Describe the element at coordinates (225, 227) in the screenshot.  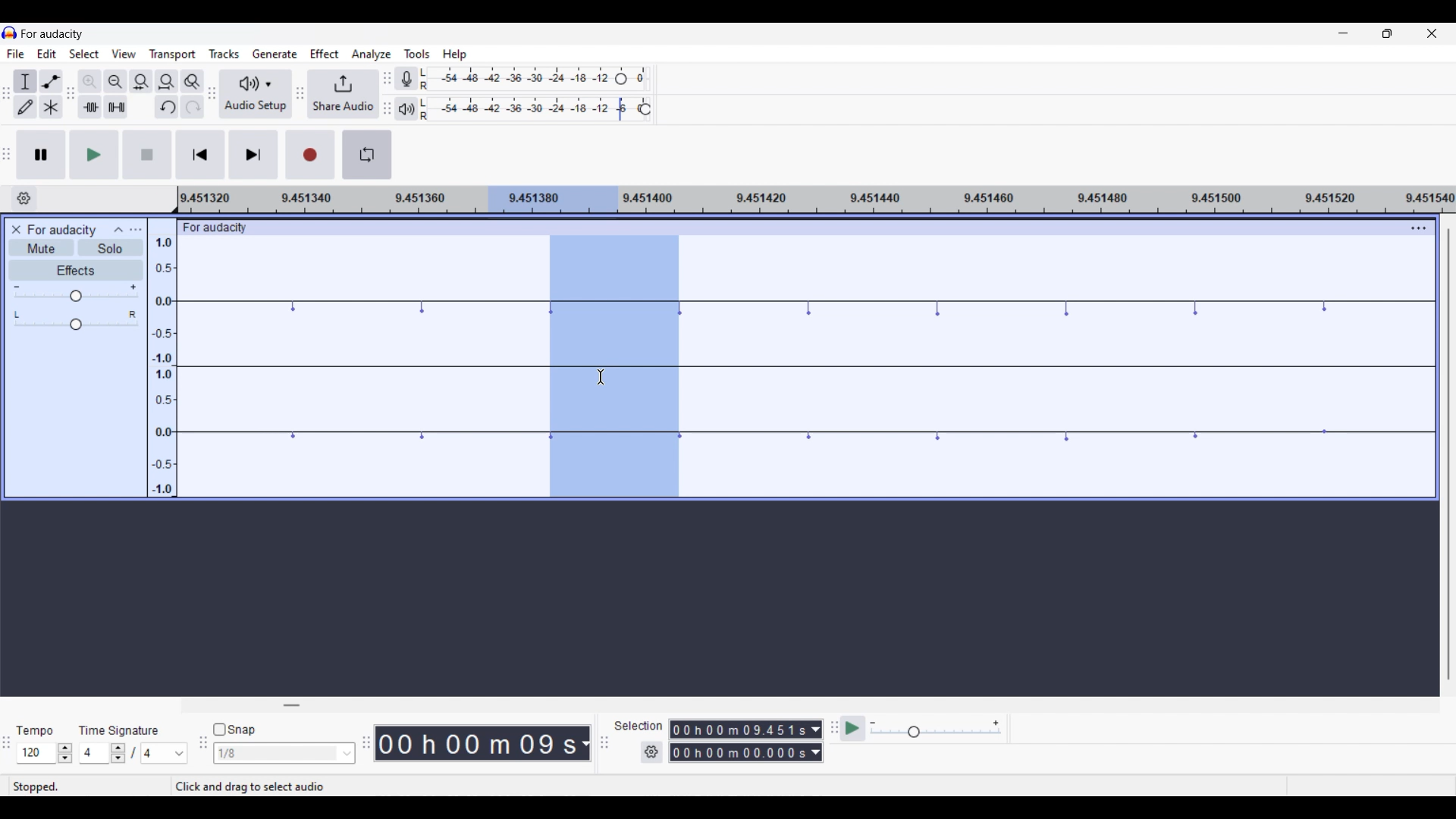
I see `For audacity` at that location.